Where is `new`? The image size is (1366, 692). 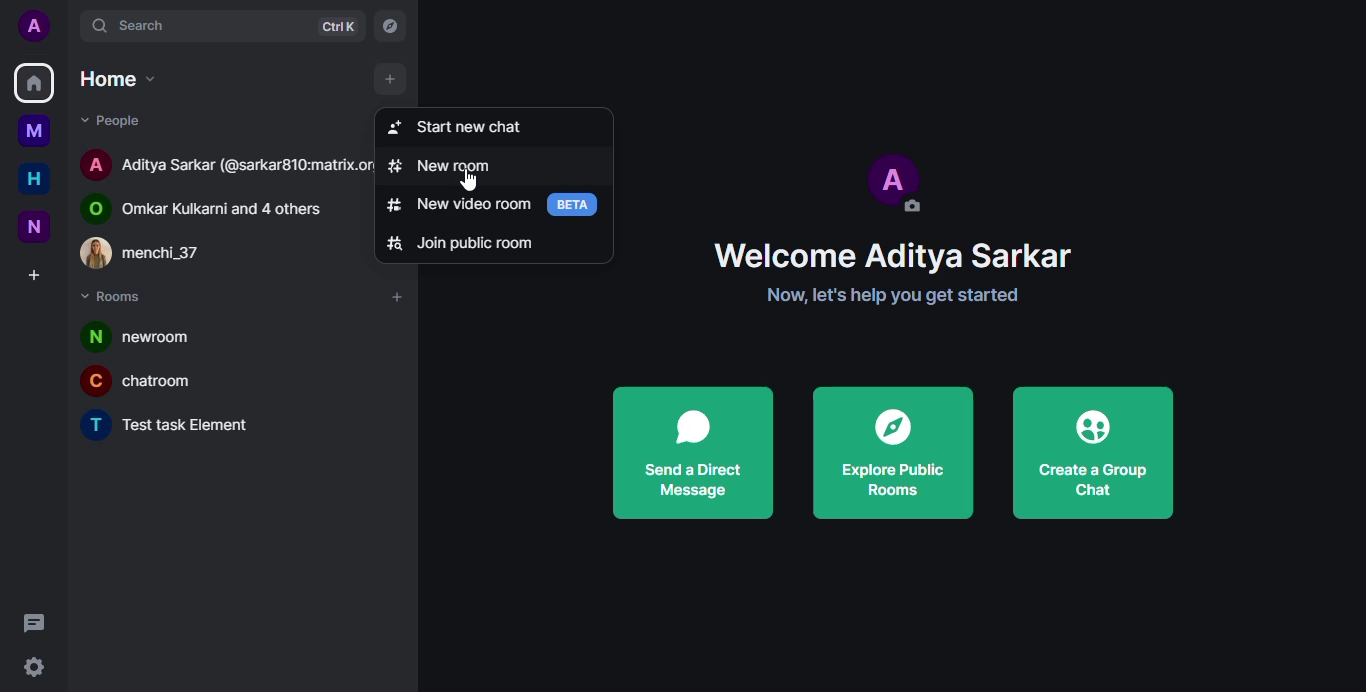 new is located at coordinates (31, 227).